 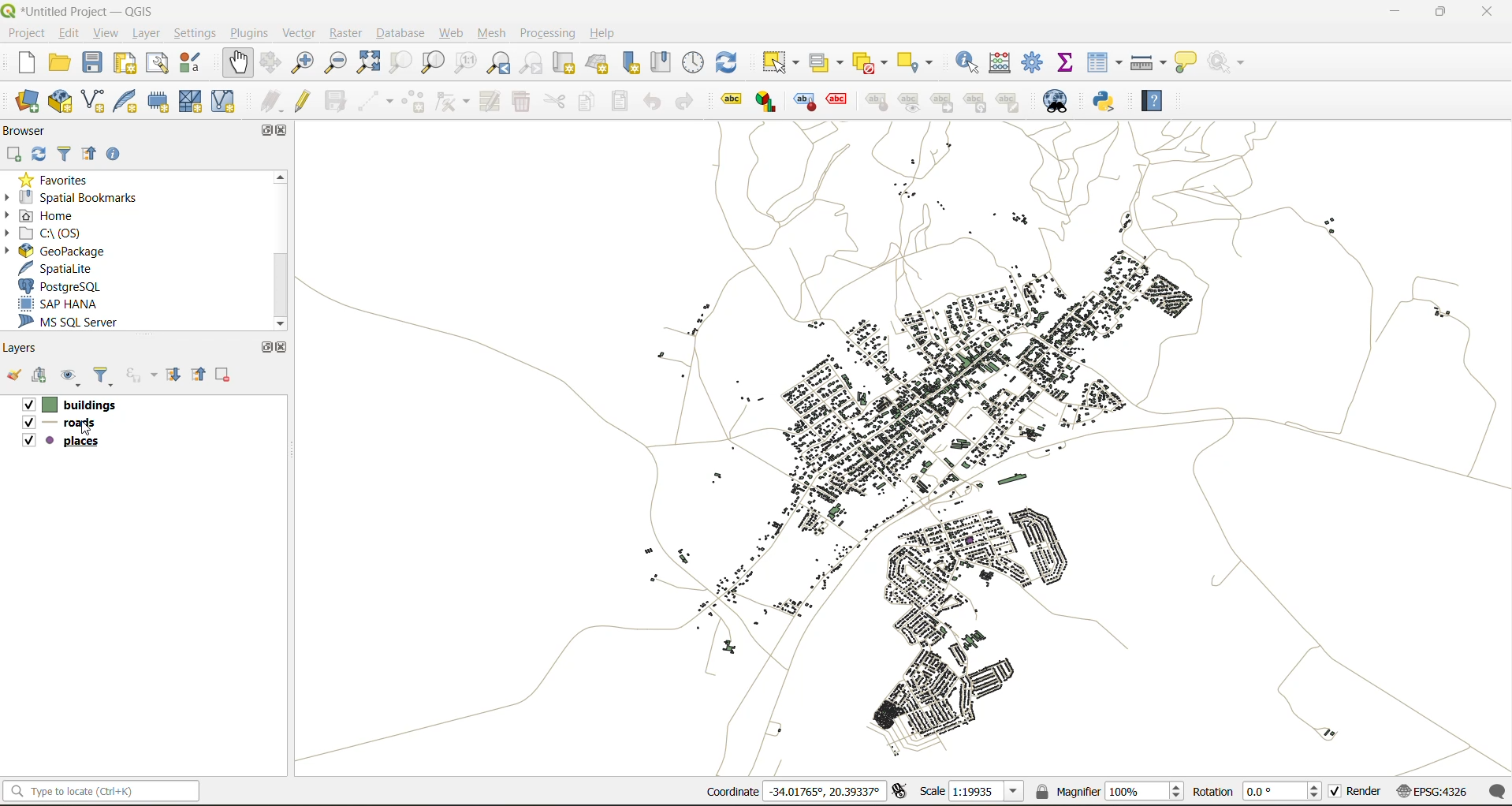 What do you see at coordinates (23, 347) in the screenshot?
I see `layers` at bounding box center [23, 347].